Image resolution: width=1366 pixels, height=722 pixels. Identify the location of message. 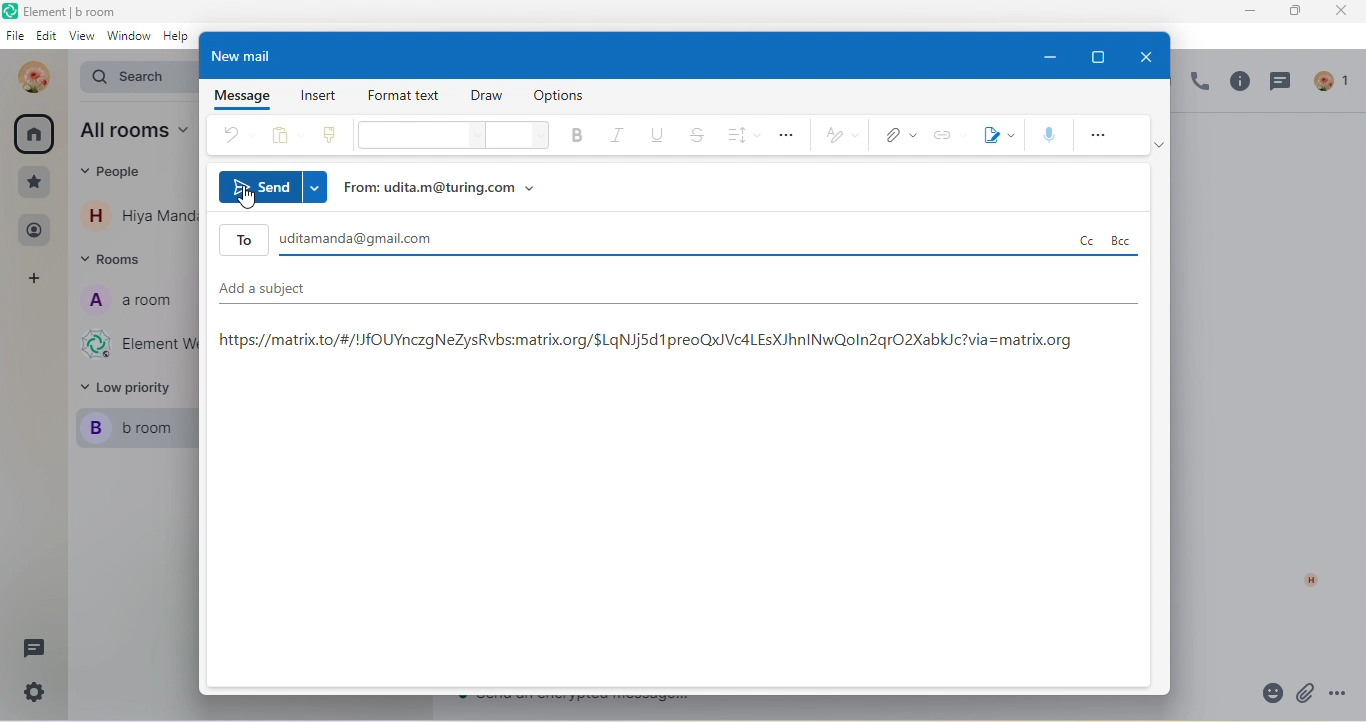
(238, 97).